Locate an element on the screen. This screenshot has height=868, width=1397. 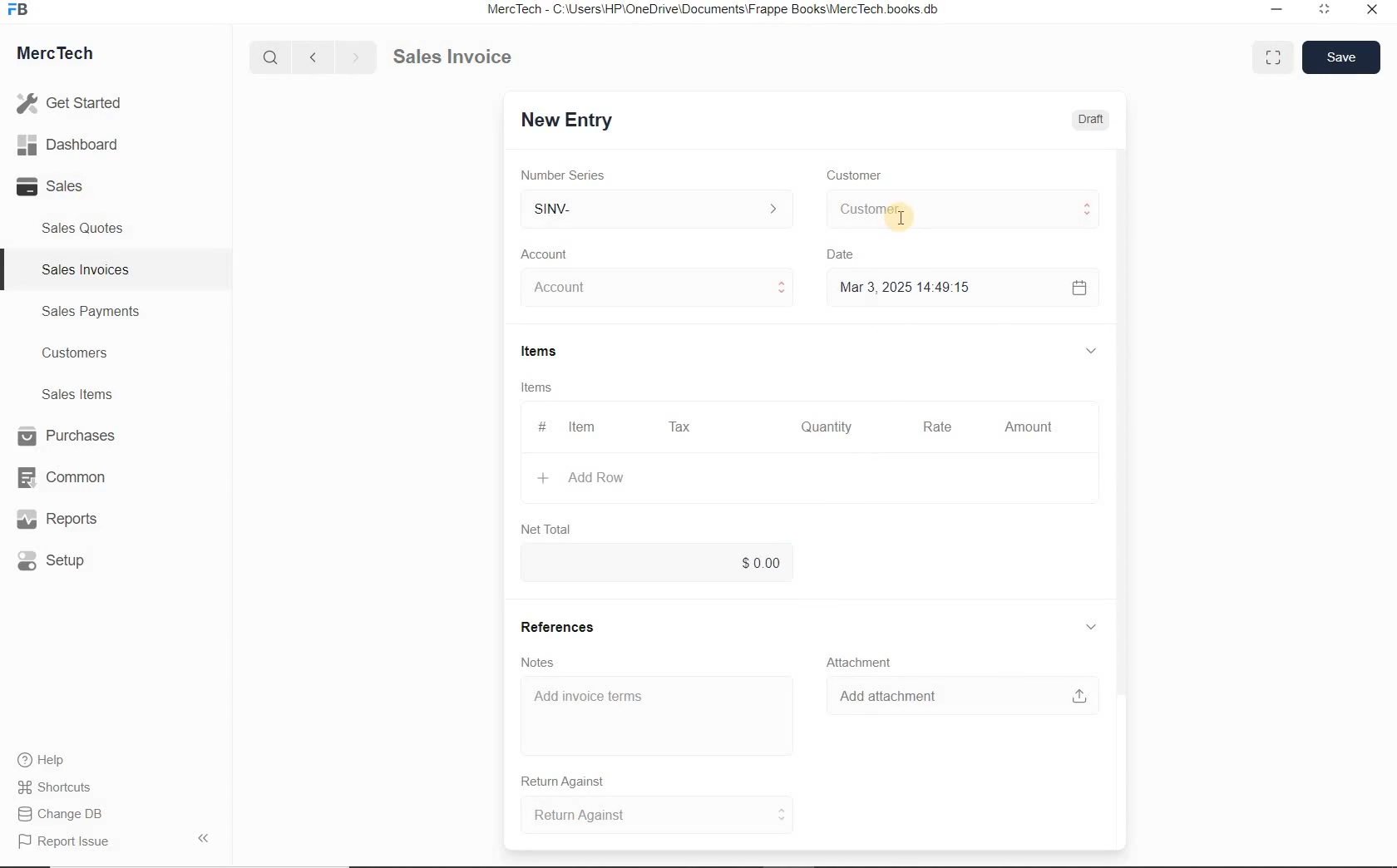
Customer is located at coordinates (961, 210).